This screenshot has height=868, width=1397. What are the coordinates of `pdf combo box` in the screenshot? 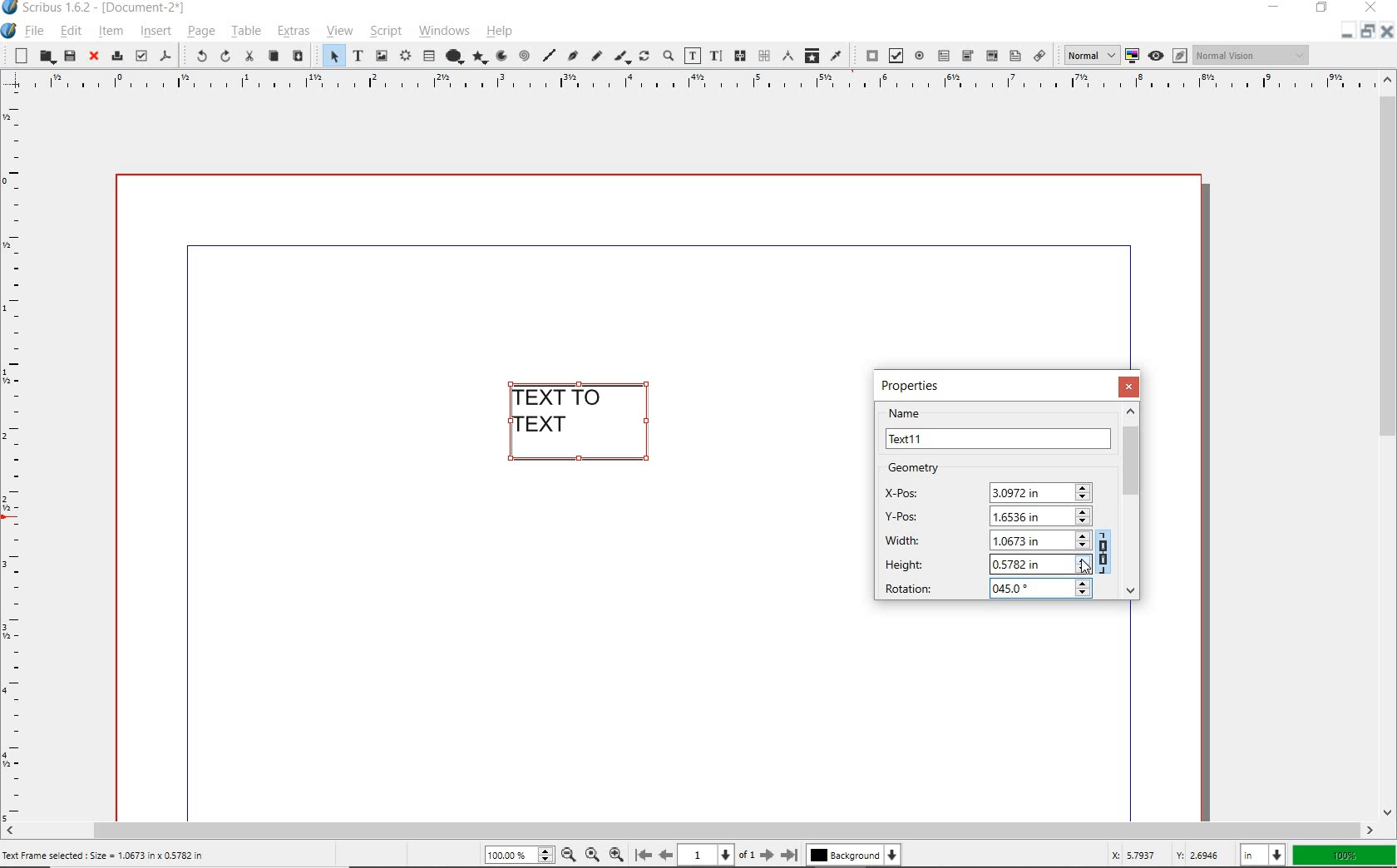 It's located at (991, 57).